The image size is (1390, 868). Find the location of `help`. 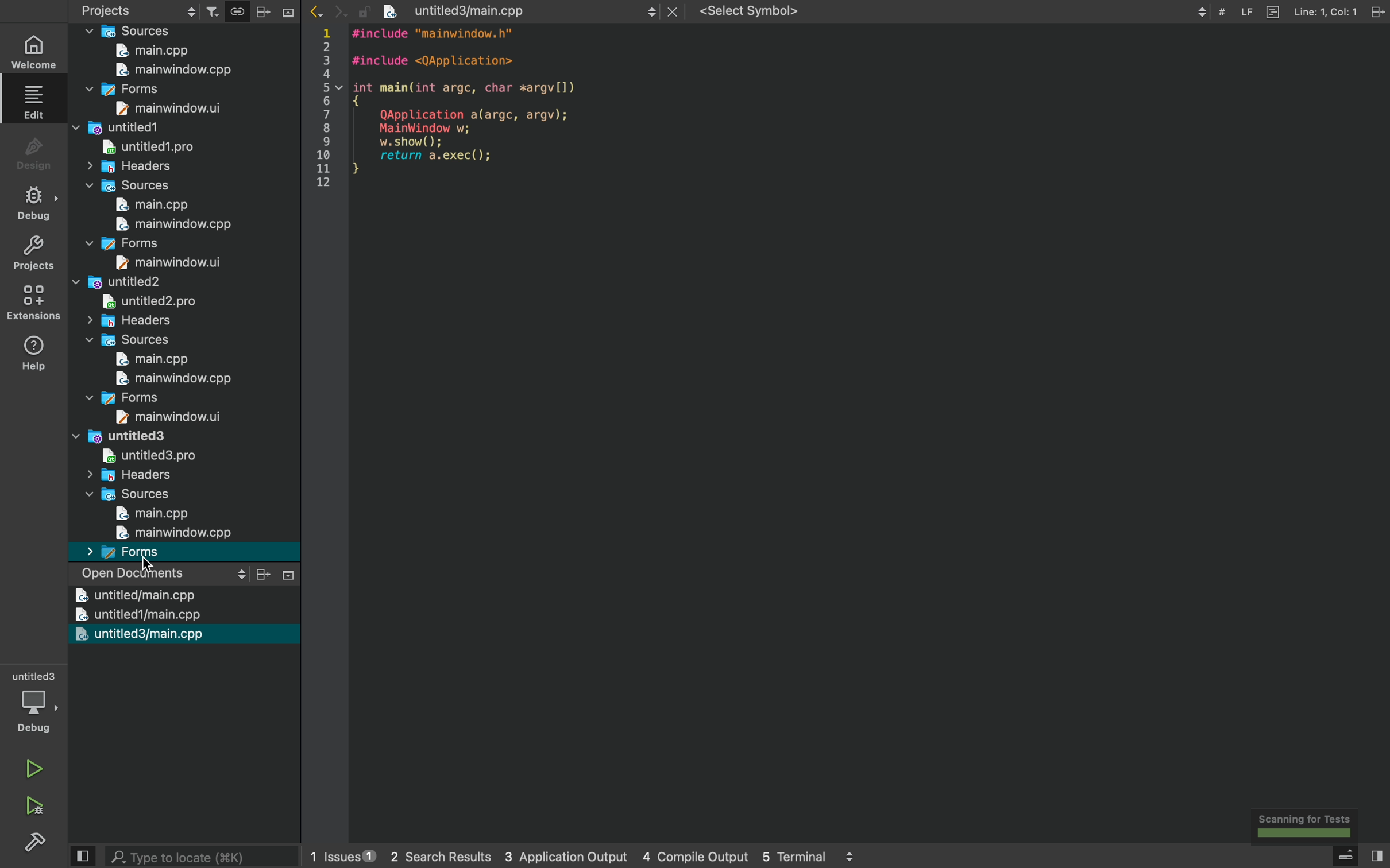

help is located at coordinates (34, 352).